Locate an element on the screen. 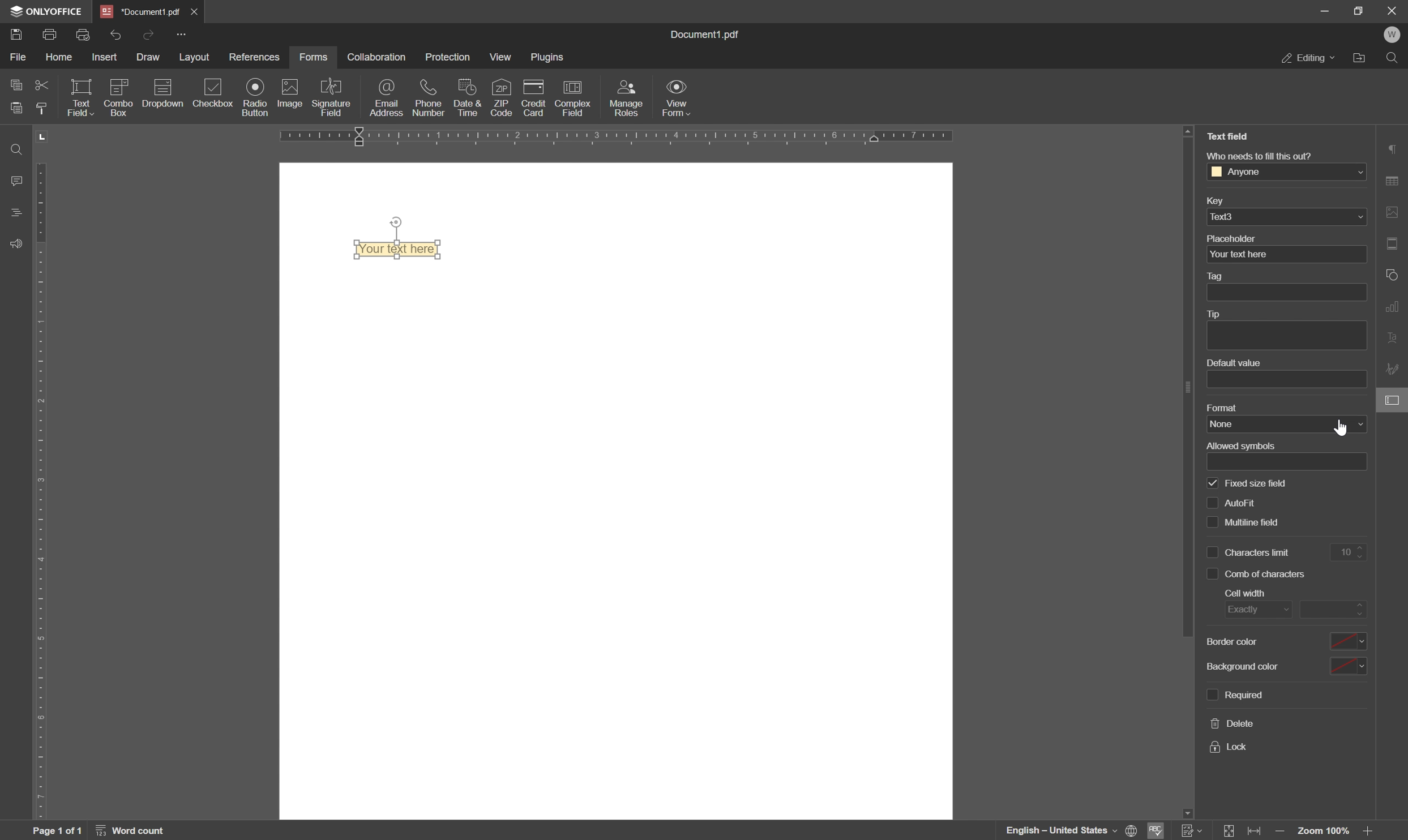 This screenshot has height=840, width=1408. scroll down is located at coordinates (1186, 811).